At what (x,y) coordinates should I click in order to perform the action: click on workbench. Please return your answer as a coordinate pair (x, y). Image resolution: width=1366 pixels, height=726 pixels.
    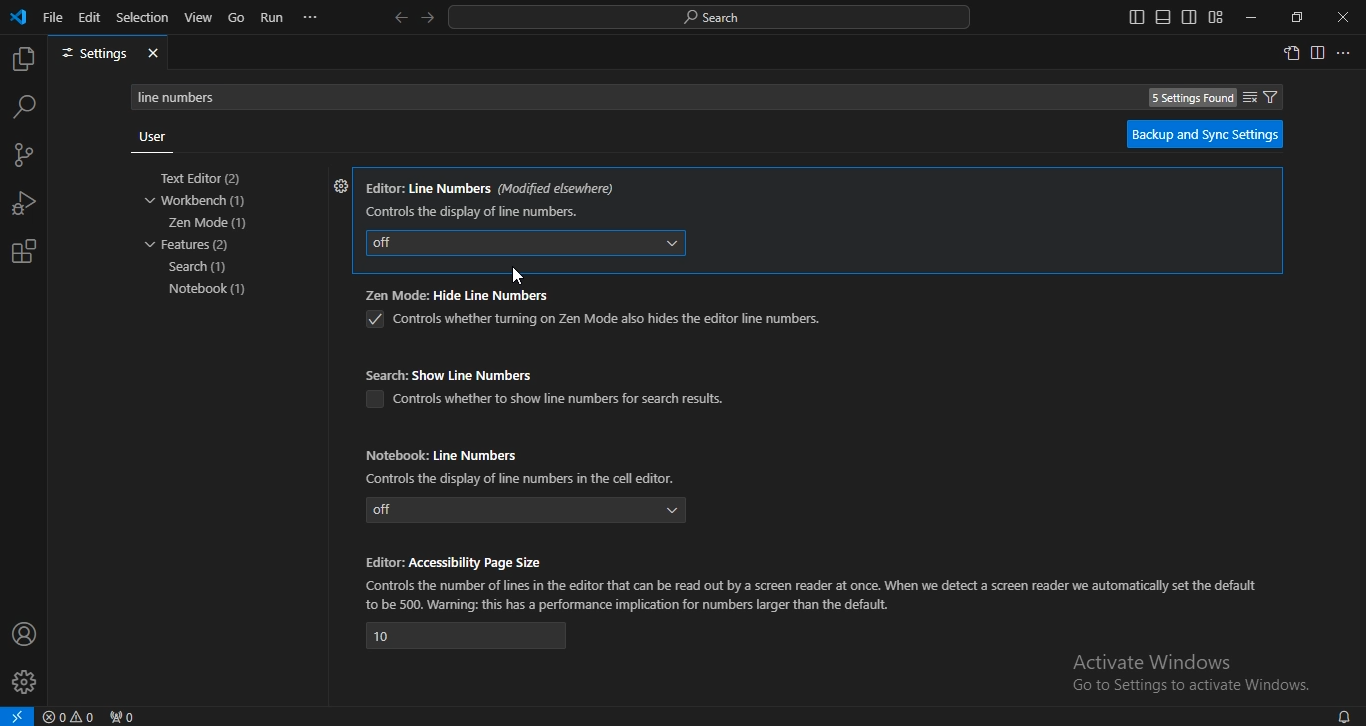
    Looking at the image, I should click on (204, 201).